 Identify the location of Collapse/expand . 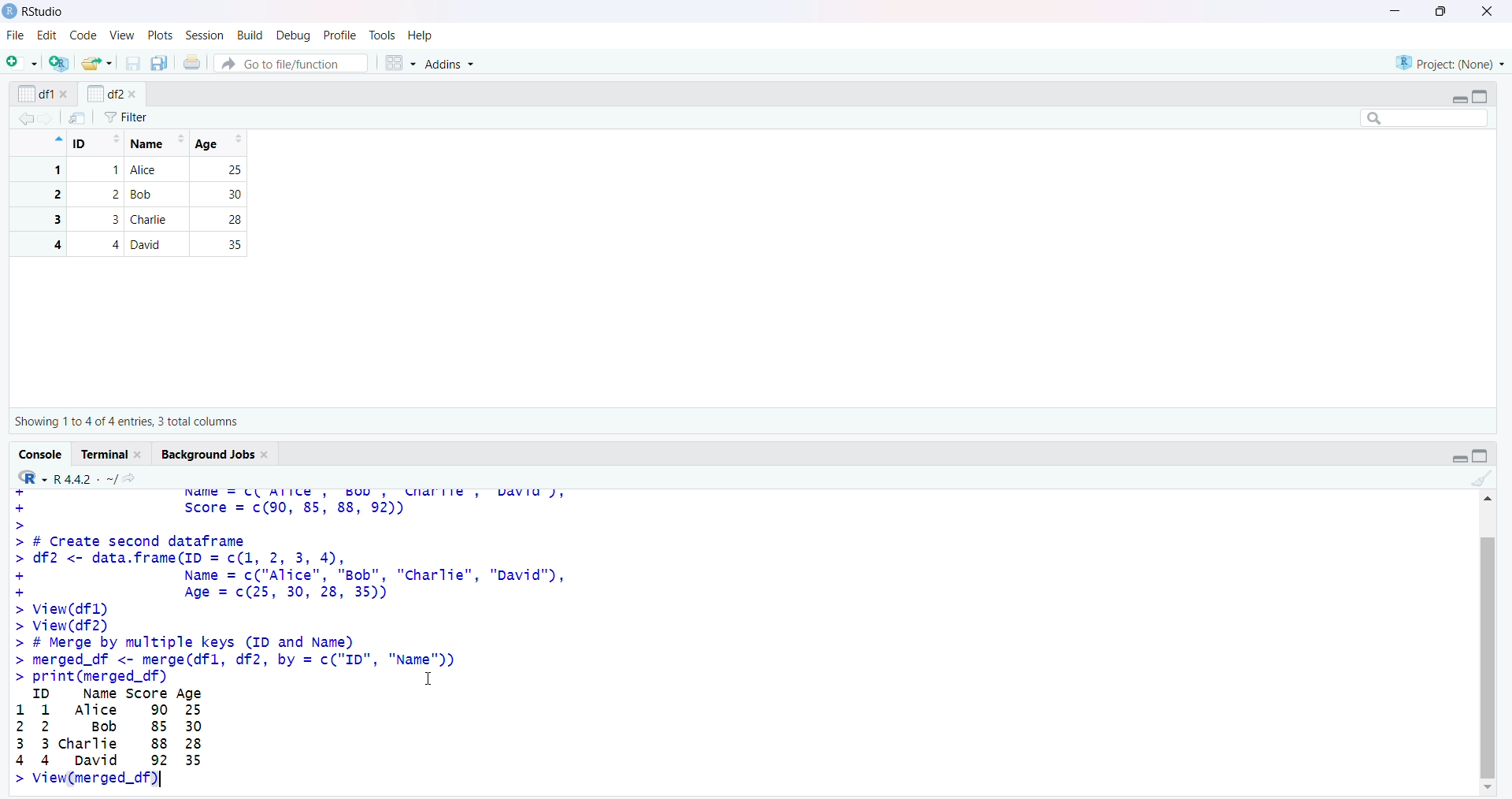
(1458, 100).